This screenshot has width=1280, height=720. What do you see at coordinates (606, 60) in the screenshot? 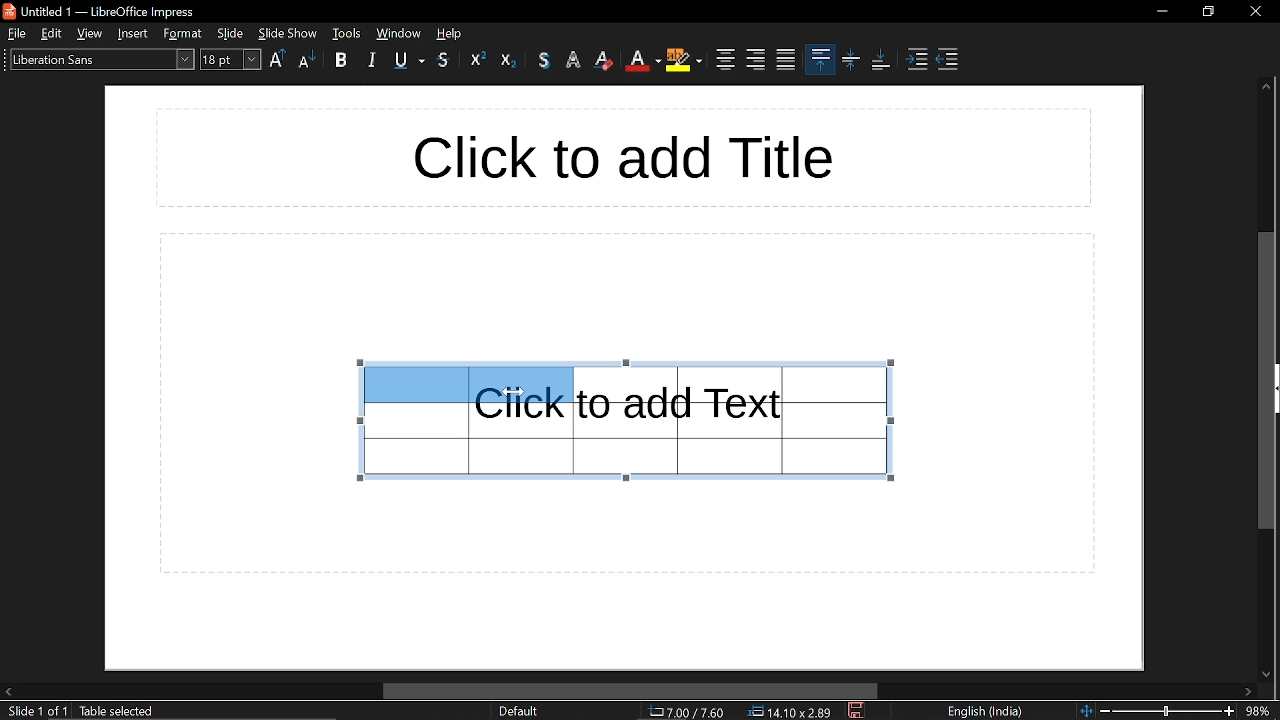
I see `eraser` at bounding box center [606, 60].